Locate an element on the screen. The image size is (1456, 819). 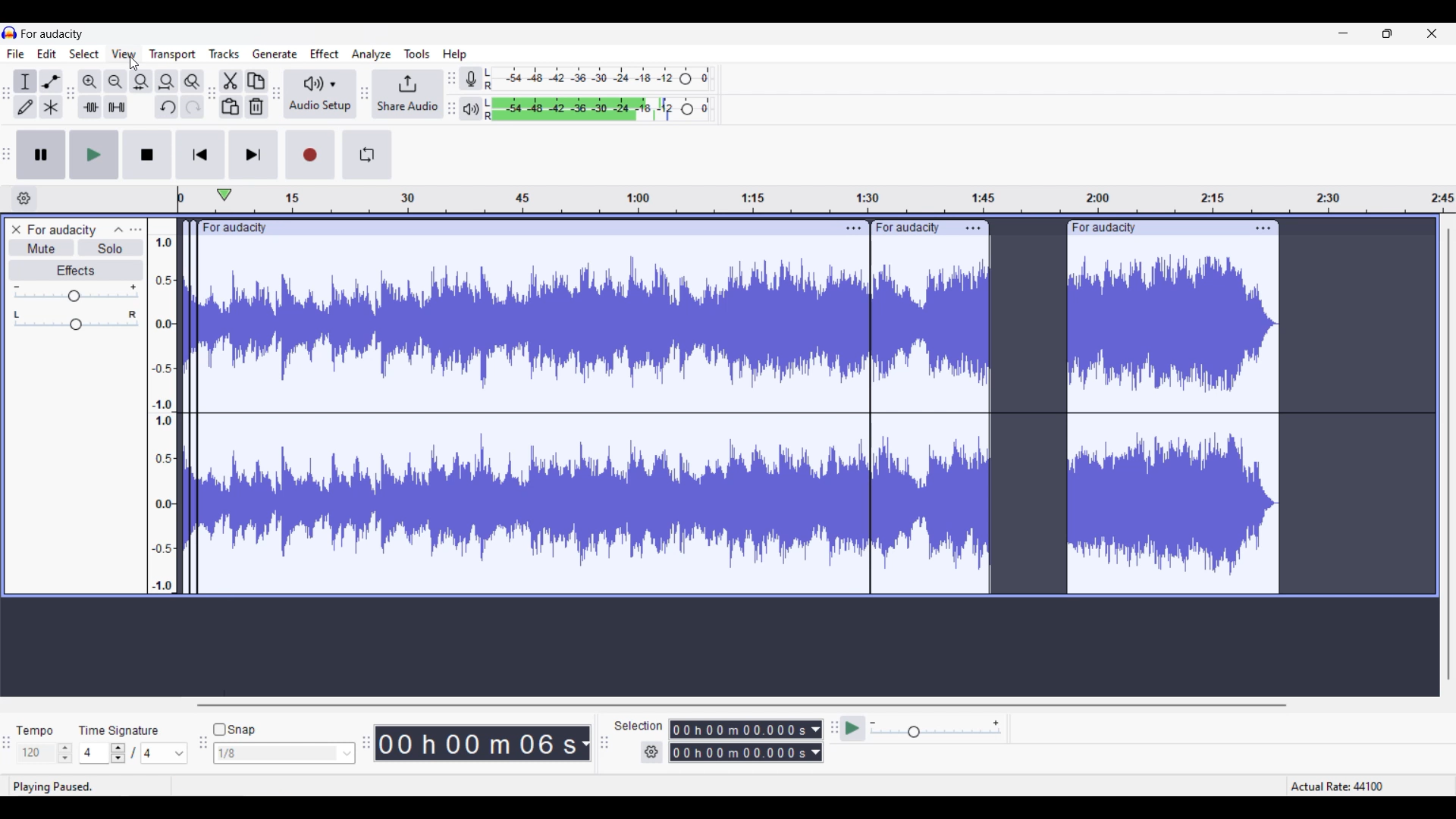
Current track duration is located at coordinates (477, 743).